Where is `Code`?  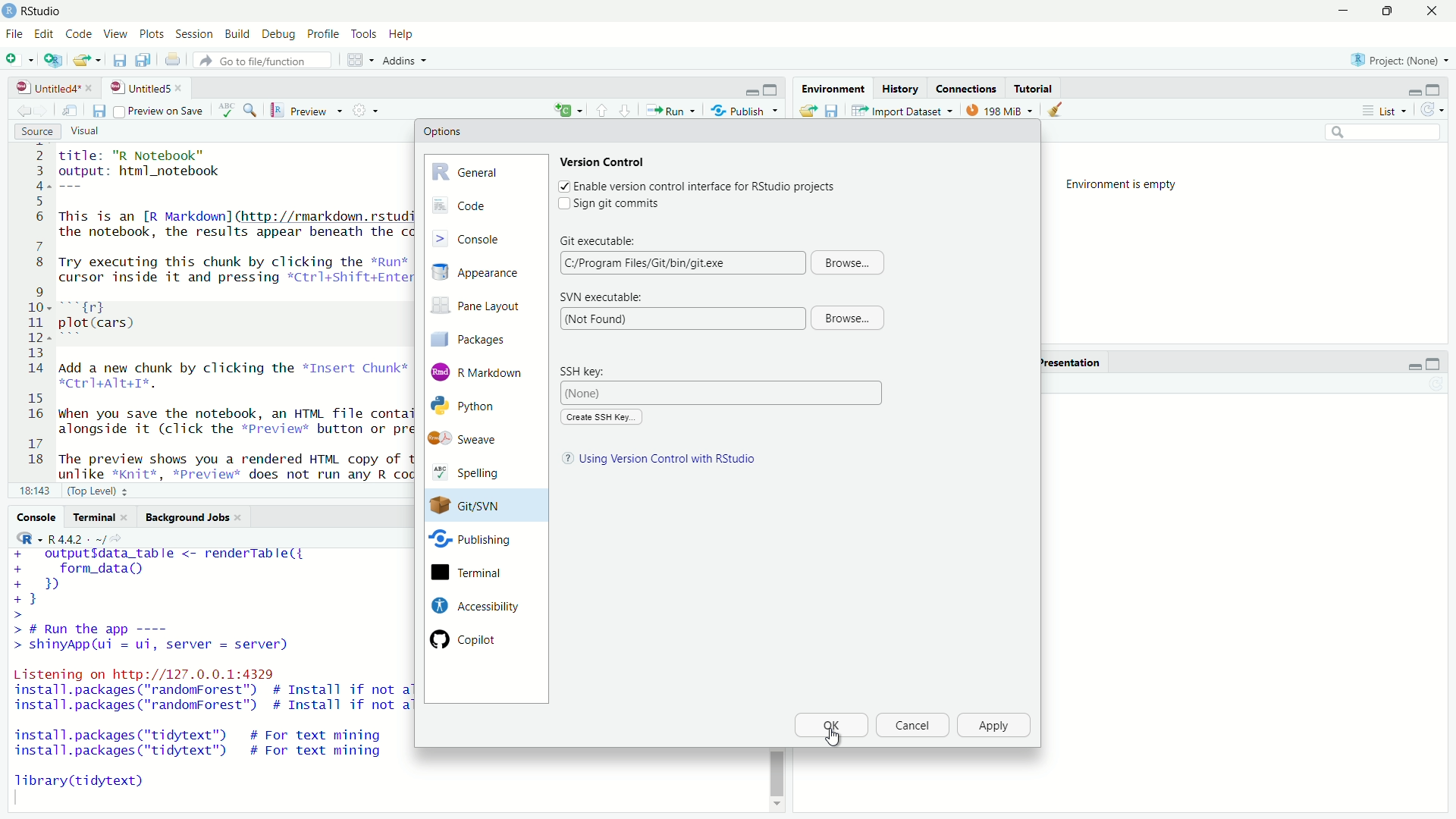 Code is located at coordinates (485, 206).